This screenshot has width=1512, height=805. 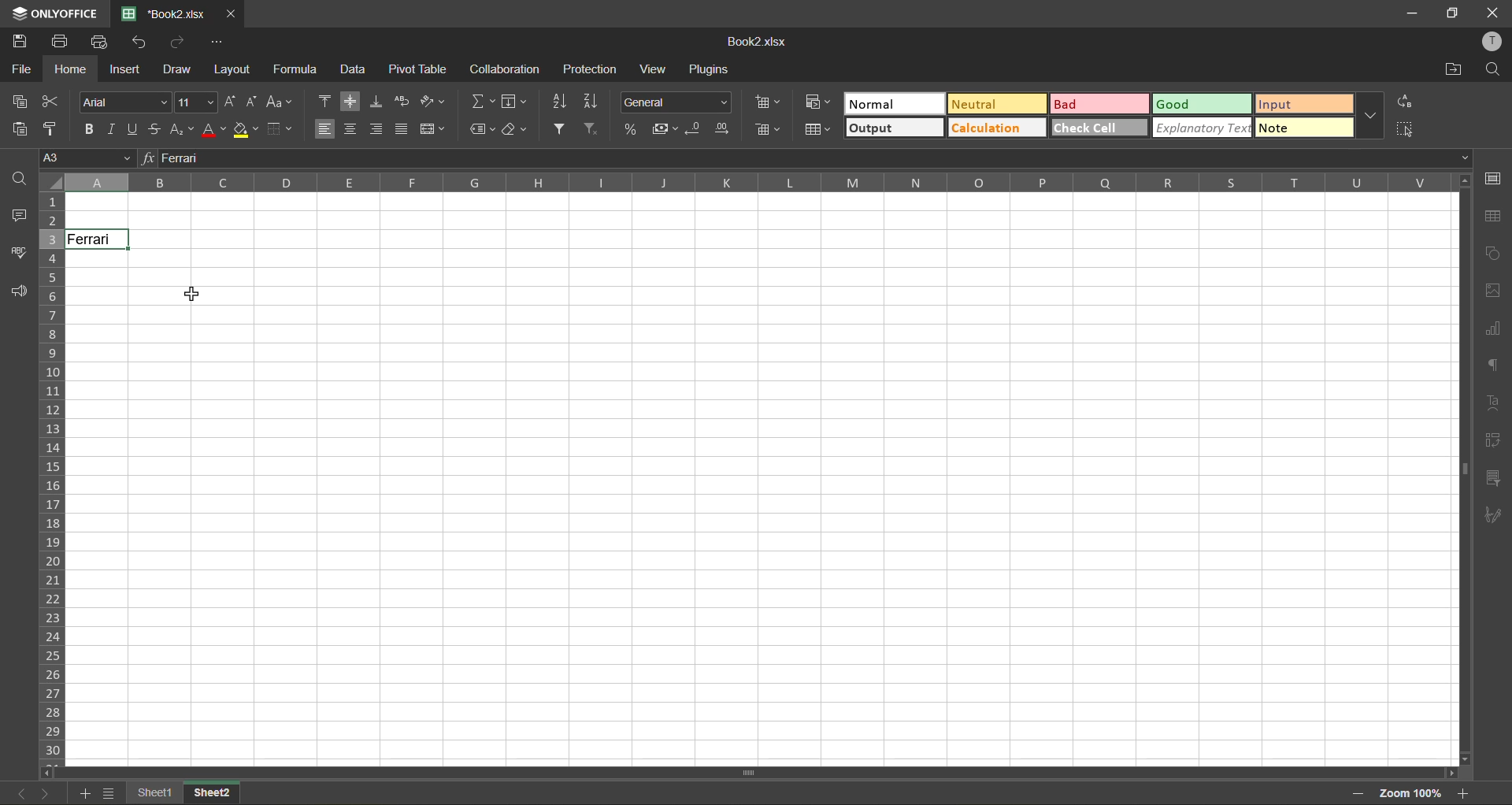 I want to click on feedback, so click(x=20, y=291).